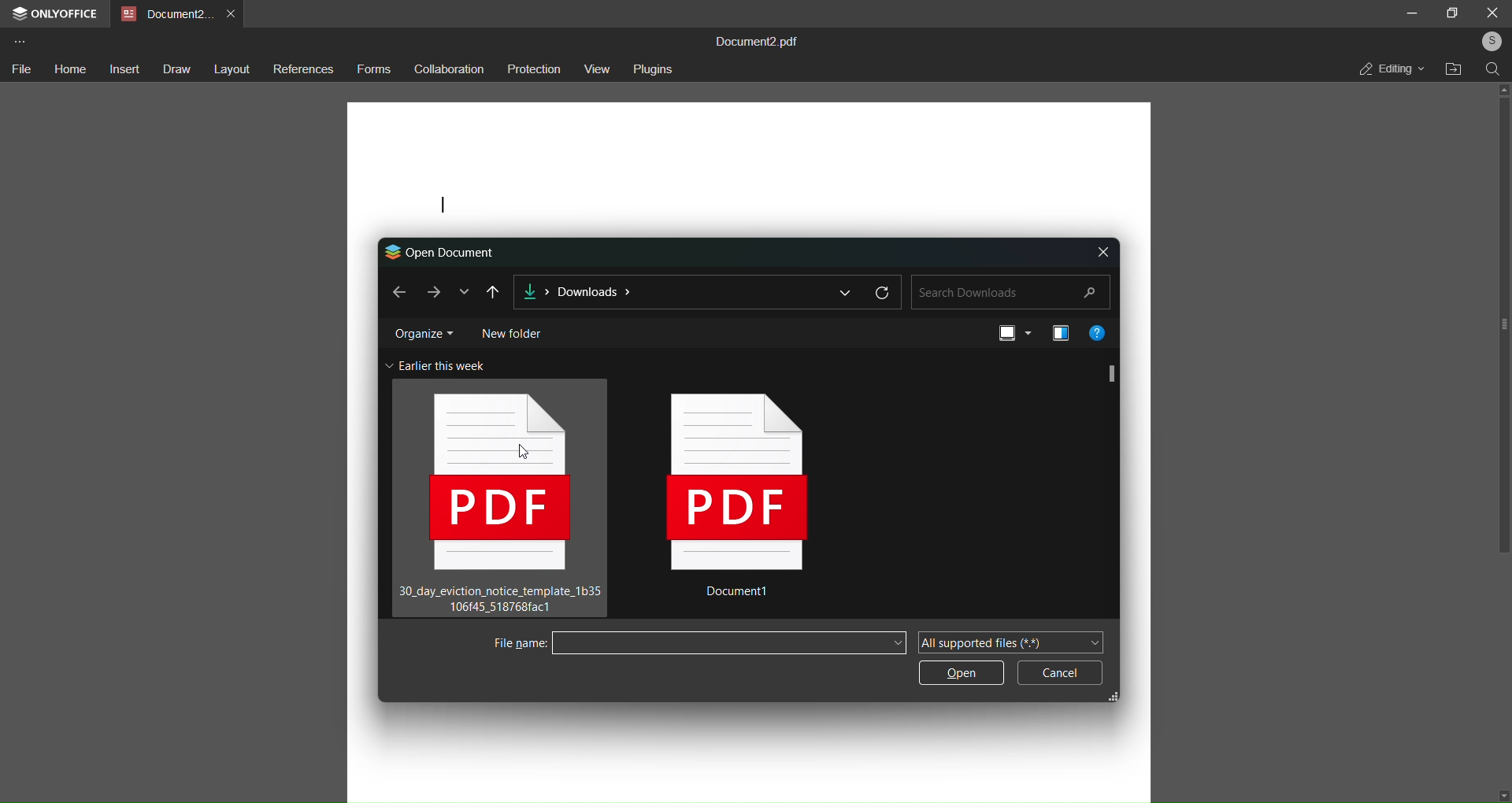  Describe the element at coordinates (447, 70) in the screenshot. I see `collaboration` at that location.